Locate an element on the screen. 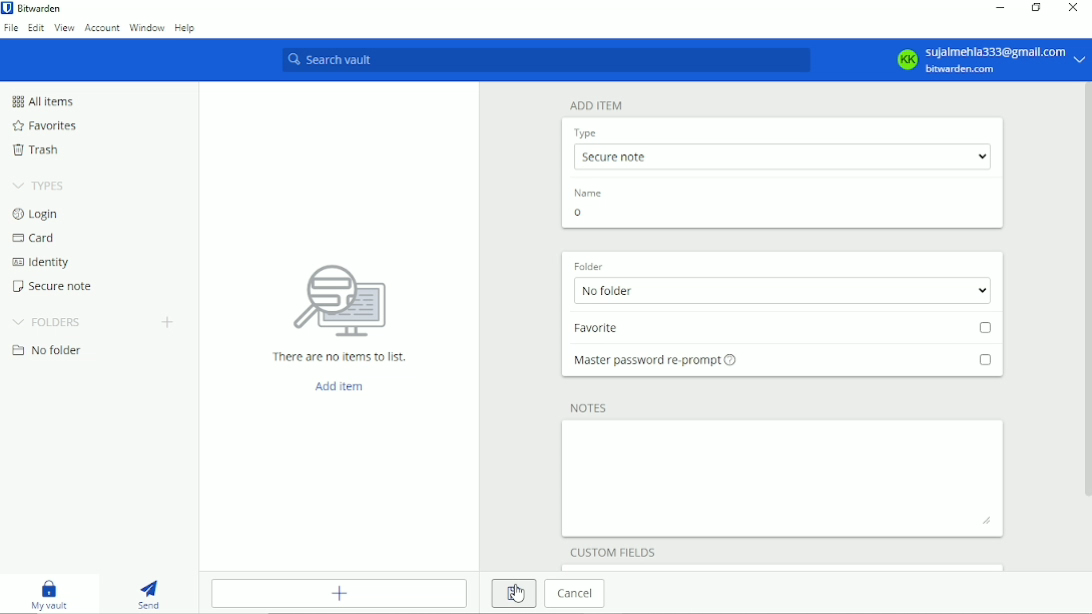 The width and height of the screenshot is (1092, 614). Close is located at coordinates (1074, 7).